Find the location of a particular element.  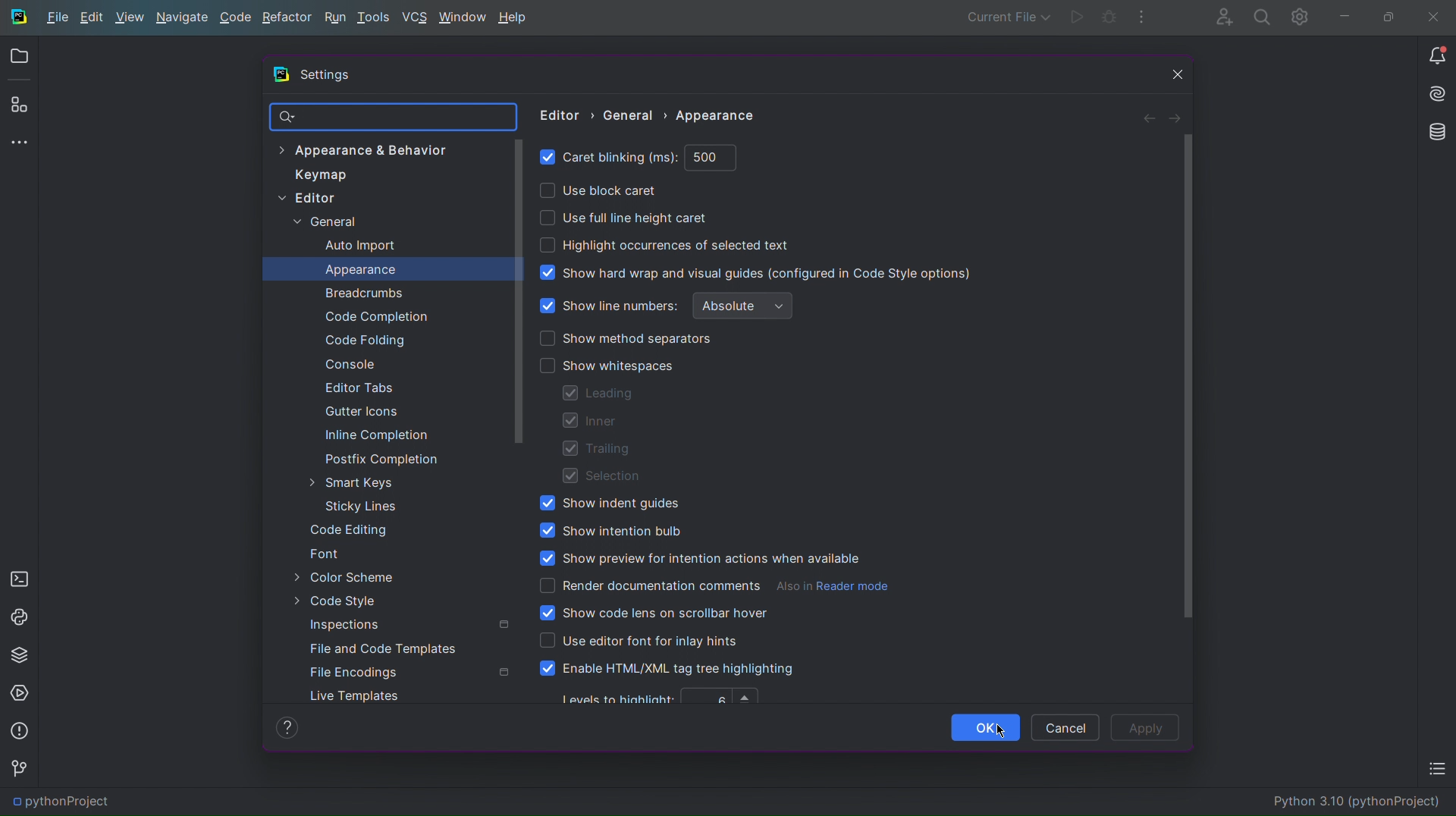

View is located at coordinates (128, 19).